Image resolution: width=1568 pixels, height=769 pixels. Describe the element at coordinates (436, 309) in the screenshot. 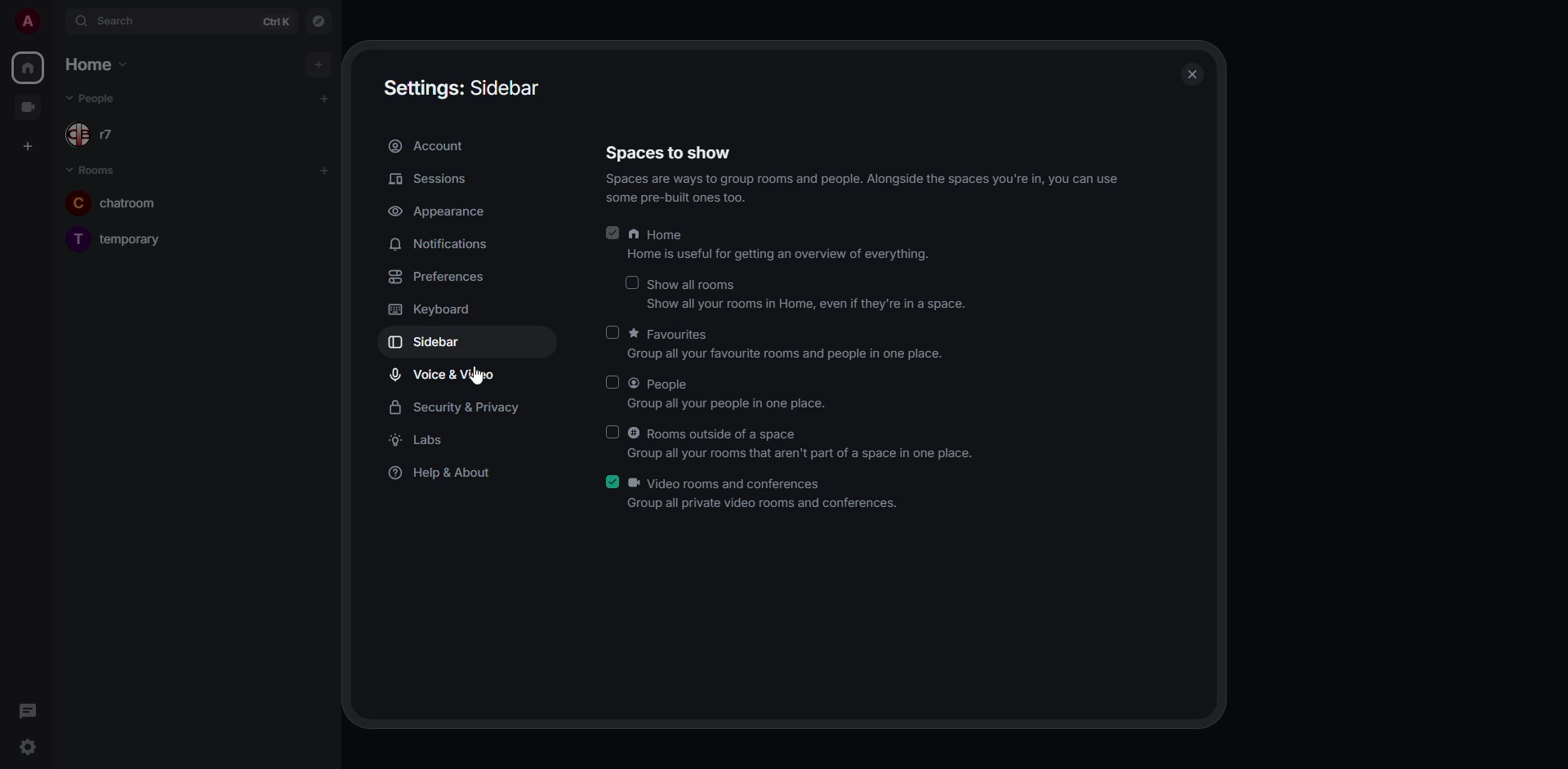

I see `keyboard` at that location.